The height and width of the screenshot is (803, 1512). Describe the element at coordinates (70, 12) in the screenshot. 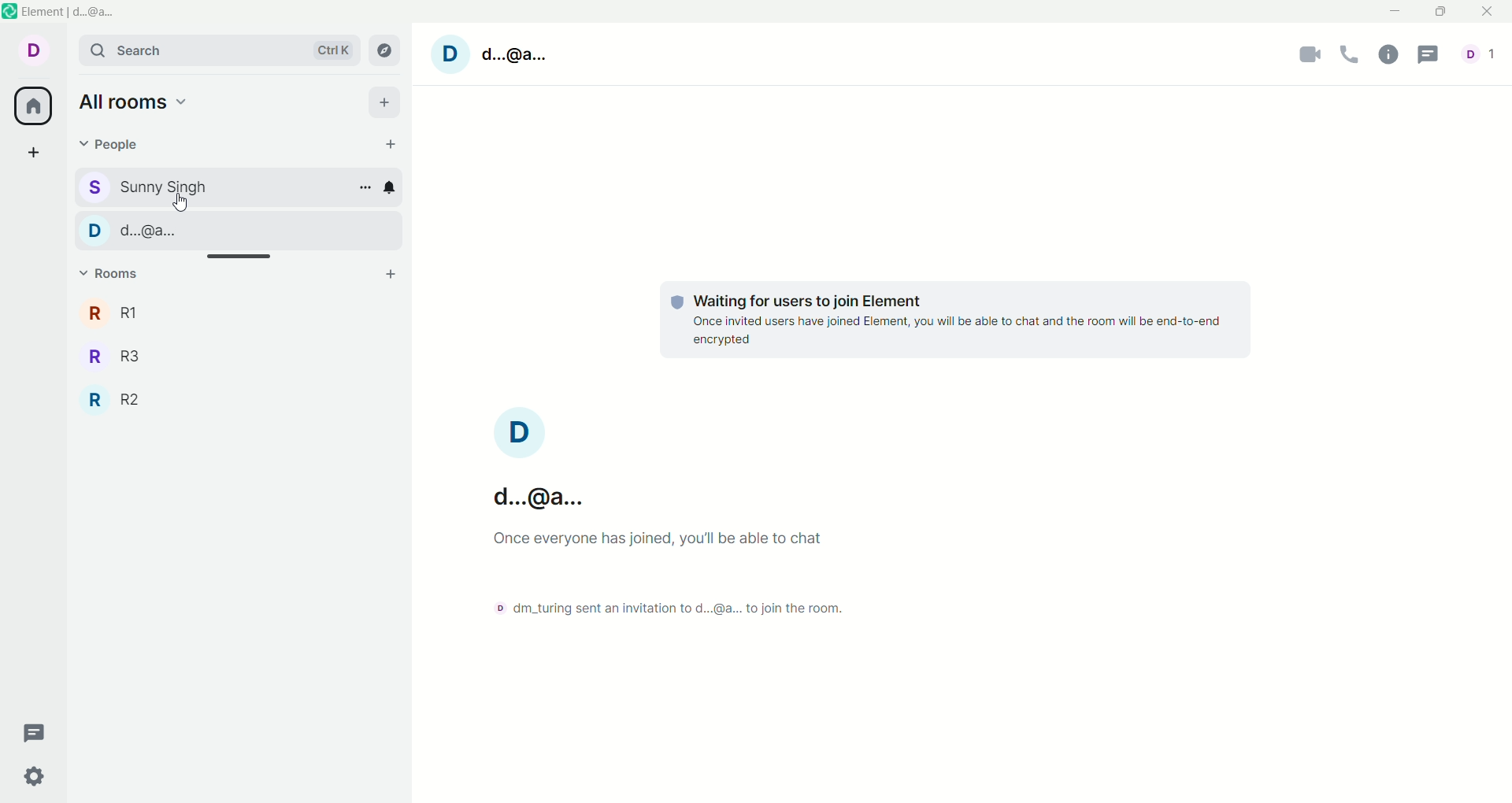

I see `element` at that location.